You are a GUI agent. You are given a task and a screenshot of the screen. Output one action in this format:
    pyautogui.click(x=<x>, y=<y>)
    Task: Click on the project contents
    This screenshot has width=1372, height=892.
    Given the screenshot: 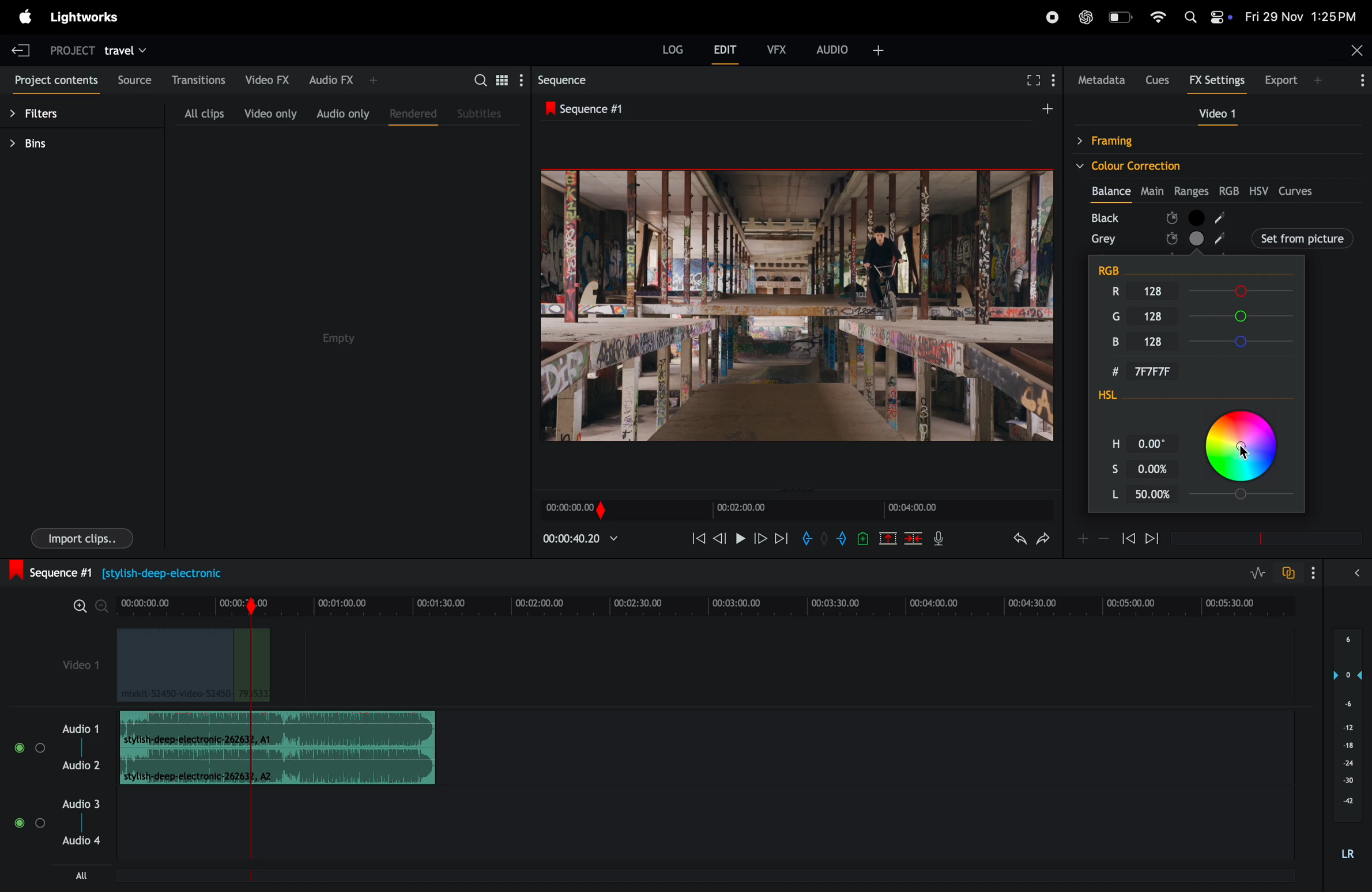 What is the action you would take?
    pyautogui.click(x=55, y=82)
    